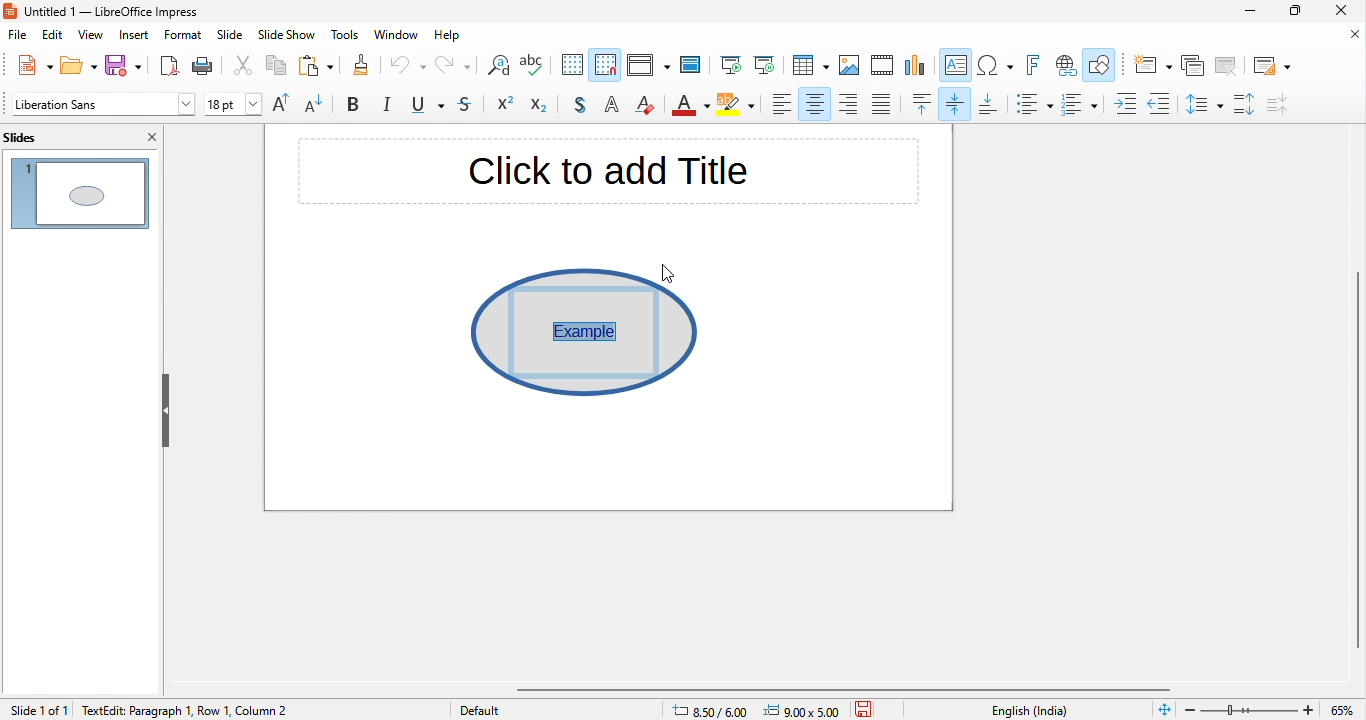 This screenshot has height=720, width=1366. What do you see at coordinates (883, 105) in the screenshot?
I see `justified` at bounding box center [883, 105].